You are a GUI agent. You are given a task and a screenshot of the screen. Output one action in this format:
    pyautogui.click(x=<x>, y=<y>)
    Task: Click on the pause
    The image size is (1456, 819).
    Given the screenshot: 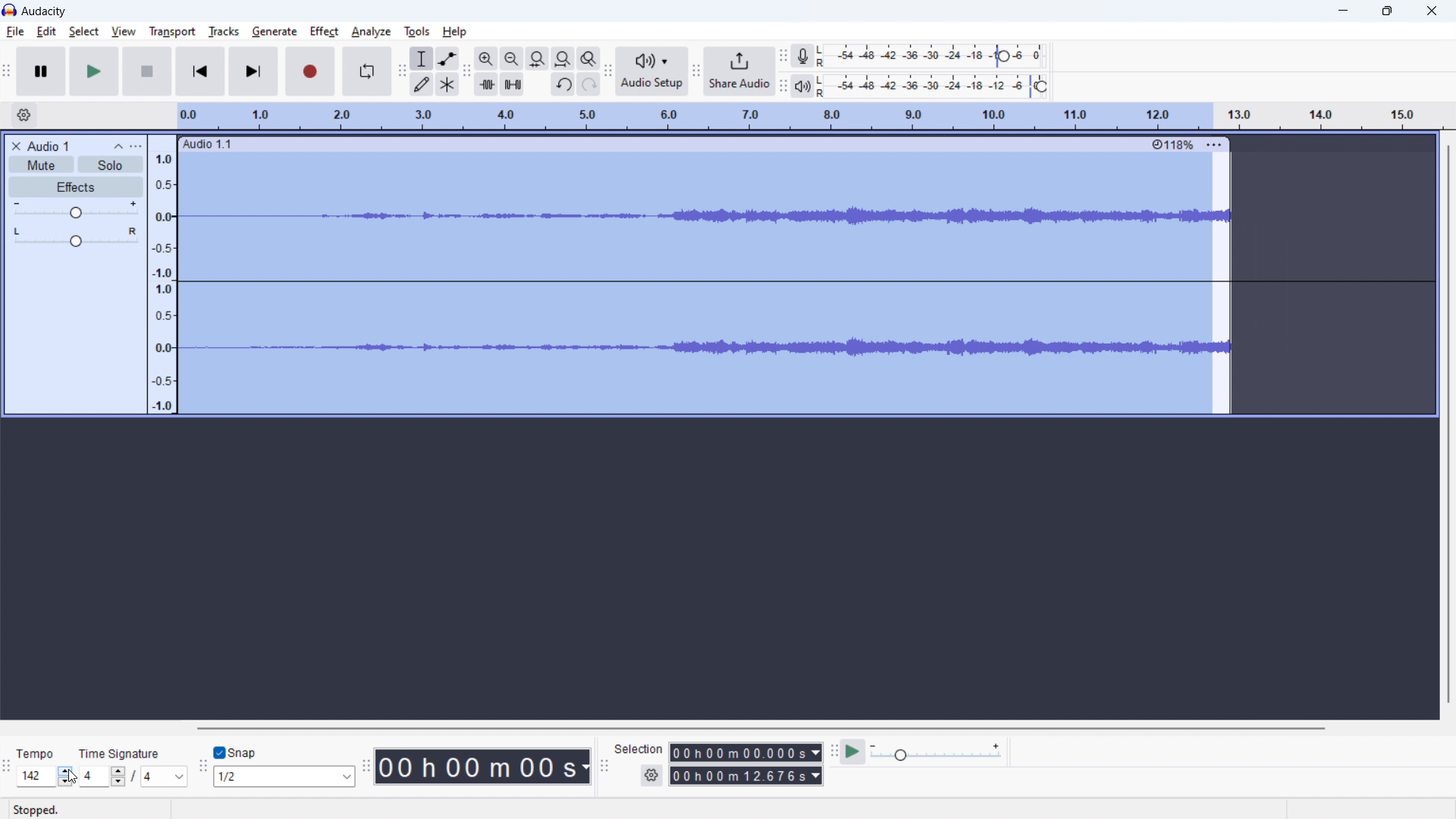 What is the action you would take?
    pyautogui.click(x=41, y=71)
    